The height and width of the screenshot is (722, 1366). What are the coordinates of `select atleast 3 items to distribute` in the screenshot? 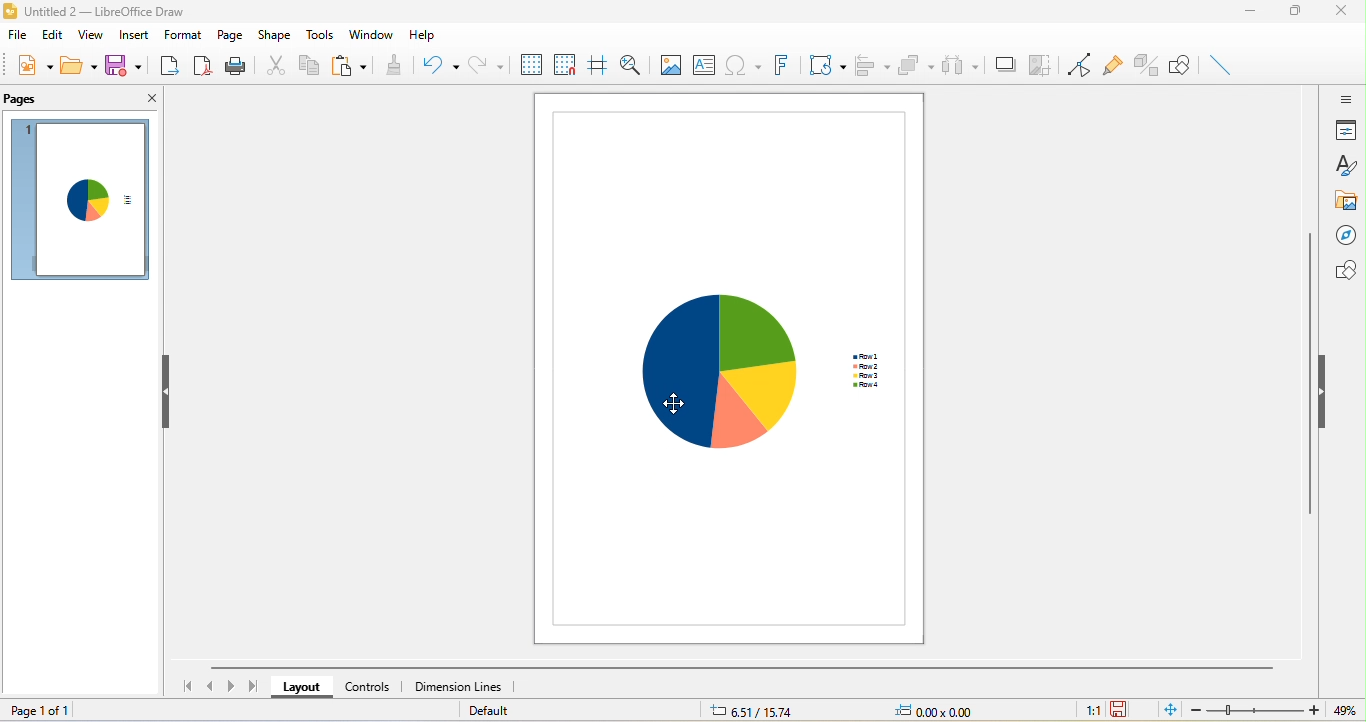 It's located at (959, 64).